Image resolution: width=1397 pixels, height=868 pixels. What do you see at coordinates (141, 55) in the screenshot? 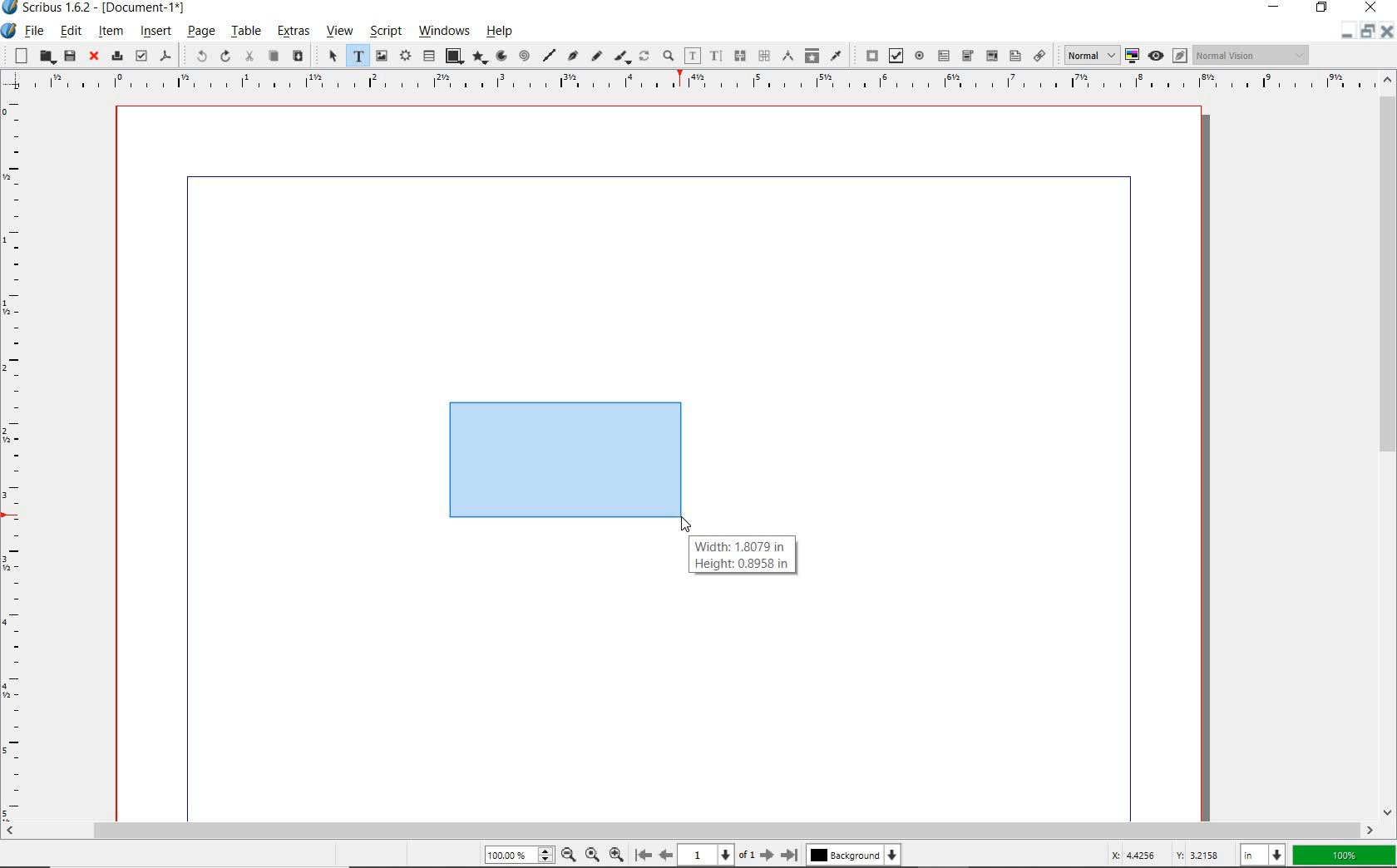
I see `preflight verifier` at bounding box center [141, 55].